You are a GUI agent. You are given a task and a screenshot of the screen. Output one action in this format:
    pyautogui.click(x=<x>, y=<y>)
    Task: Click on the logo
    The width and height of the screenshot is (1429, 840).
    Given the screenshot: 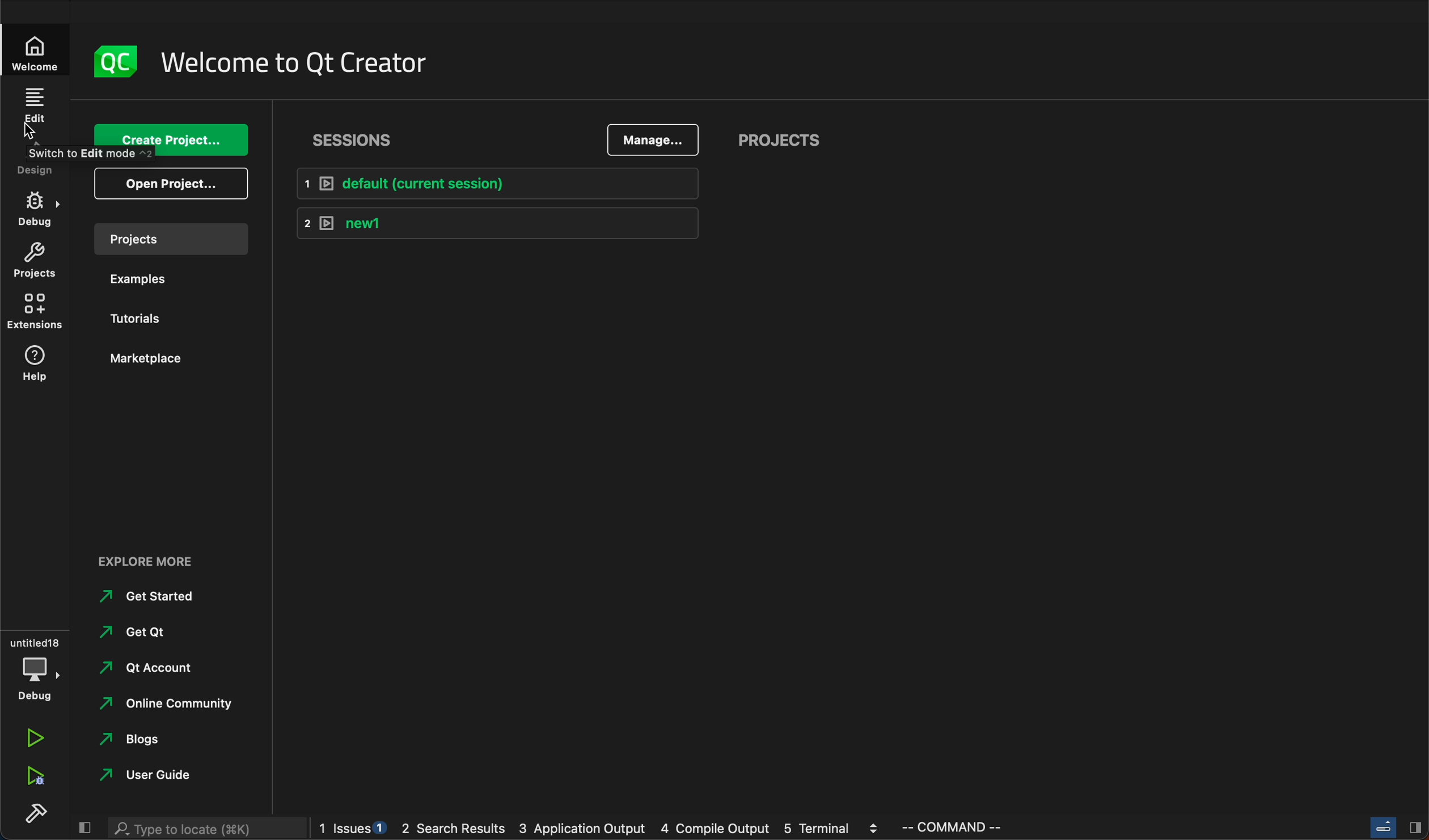 What is the action you would take?
    pyautogui.click(x=116, y=61)
    